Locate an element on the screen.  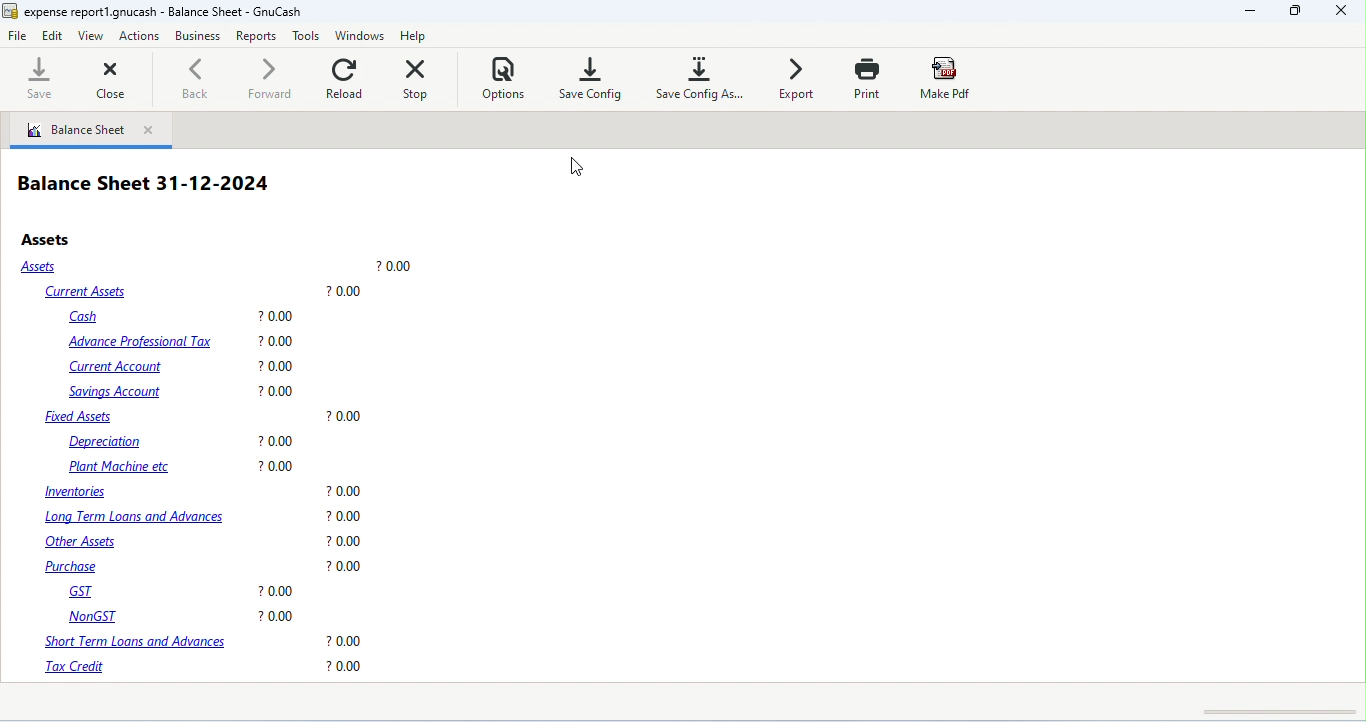
options is located at coordinates (504, 75).